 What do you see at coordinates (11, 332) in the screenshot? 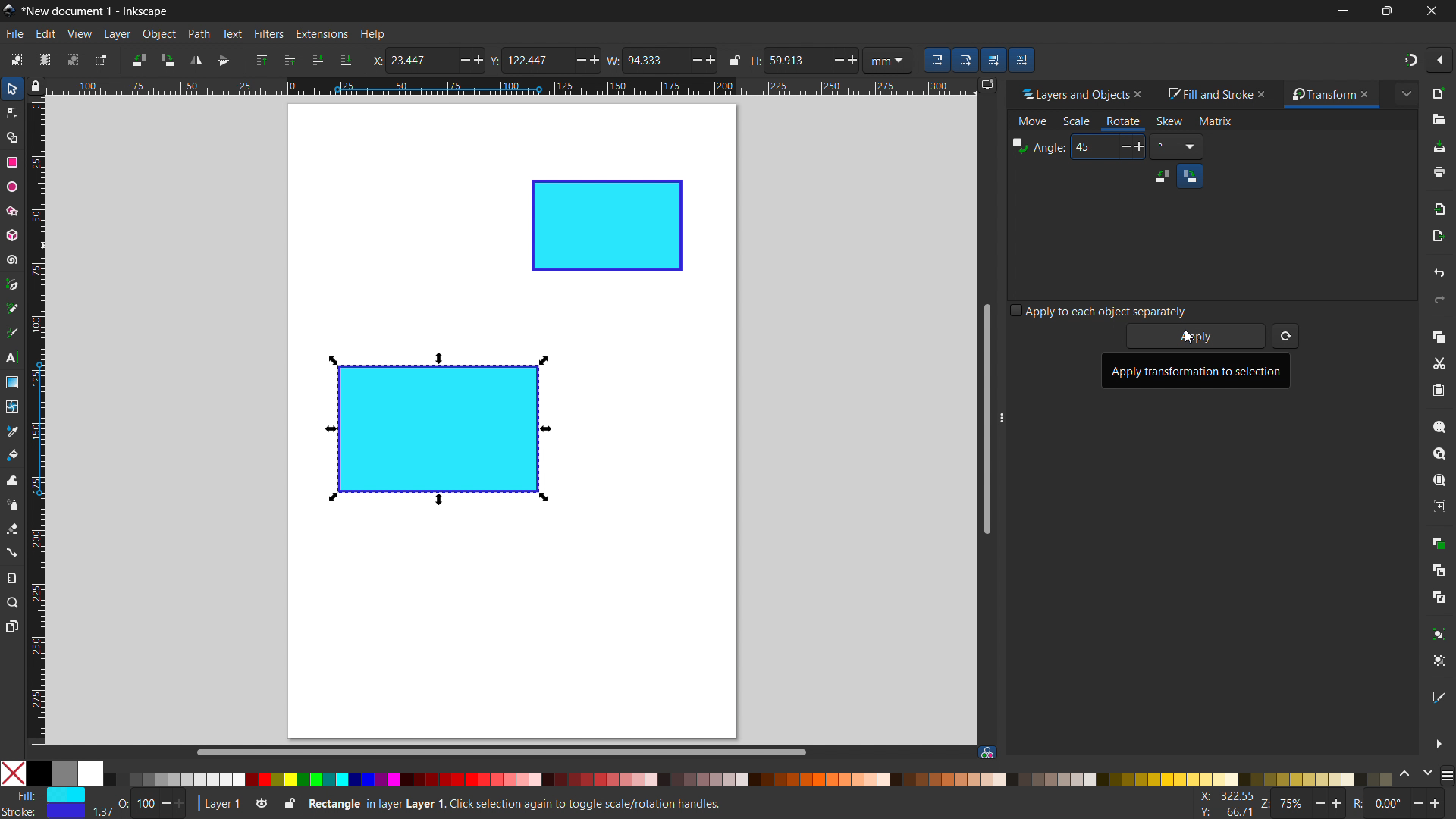
I see `caligraphy tool` at bounding box center [11, 332].